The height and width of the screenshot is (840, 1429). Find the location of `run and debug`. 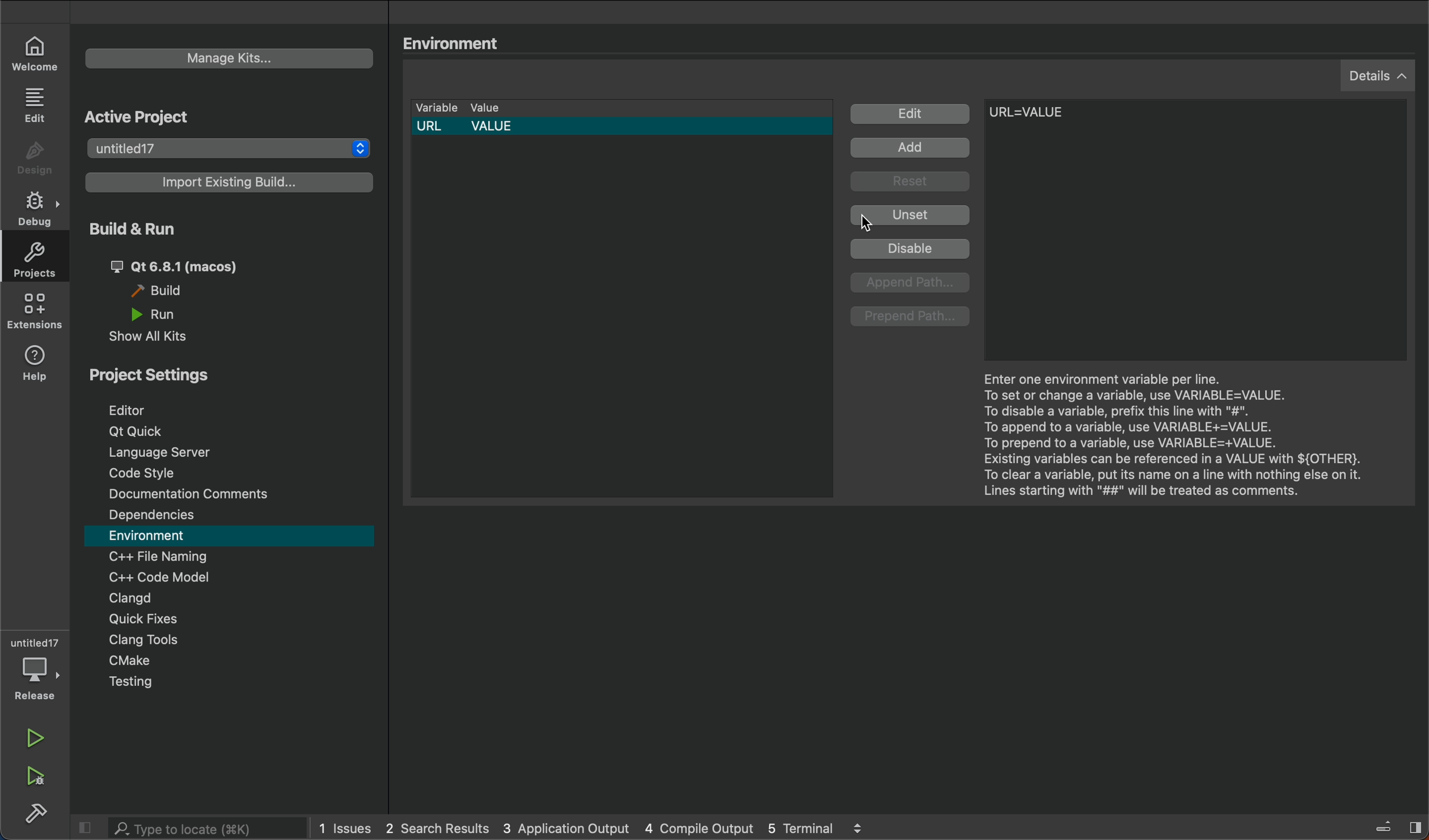

run and debug is located at coordinates (44, 778).